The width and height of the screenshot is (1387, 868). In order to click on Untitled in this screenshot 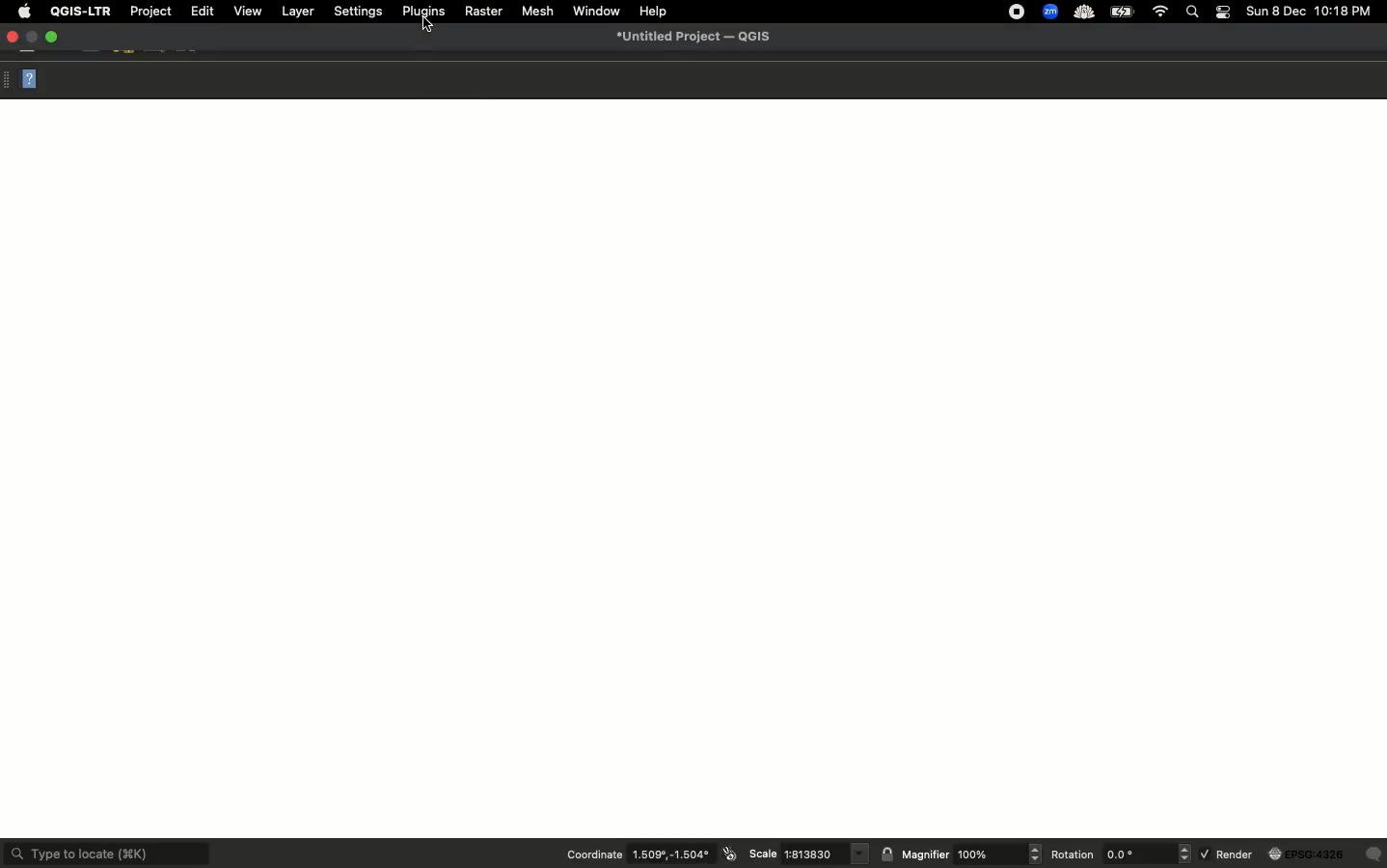, I will do `click(697, 36)`.